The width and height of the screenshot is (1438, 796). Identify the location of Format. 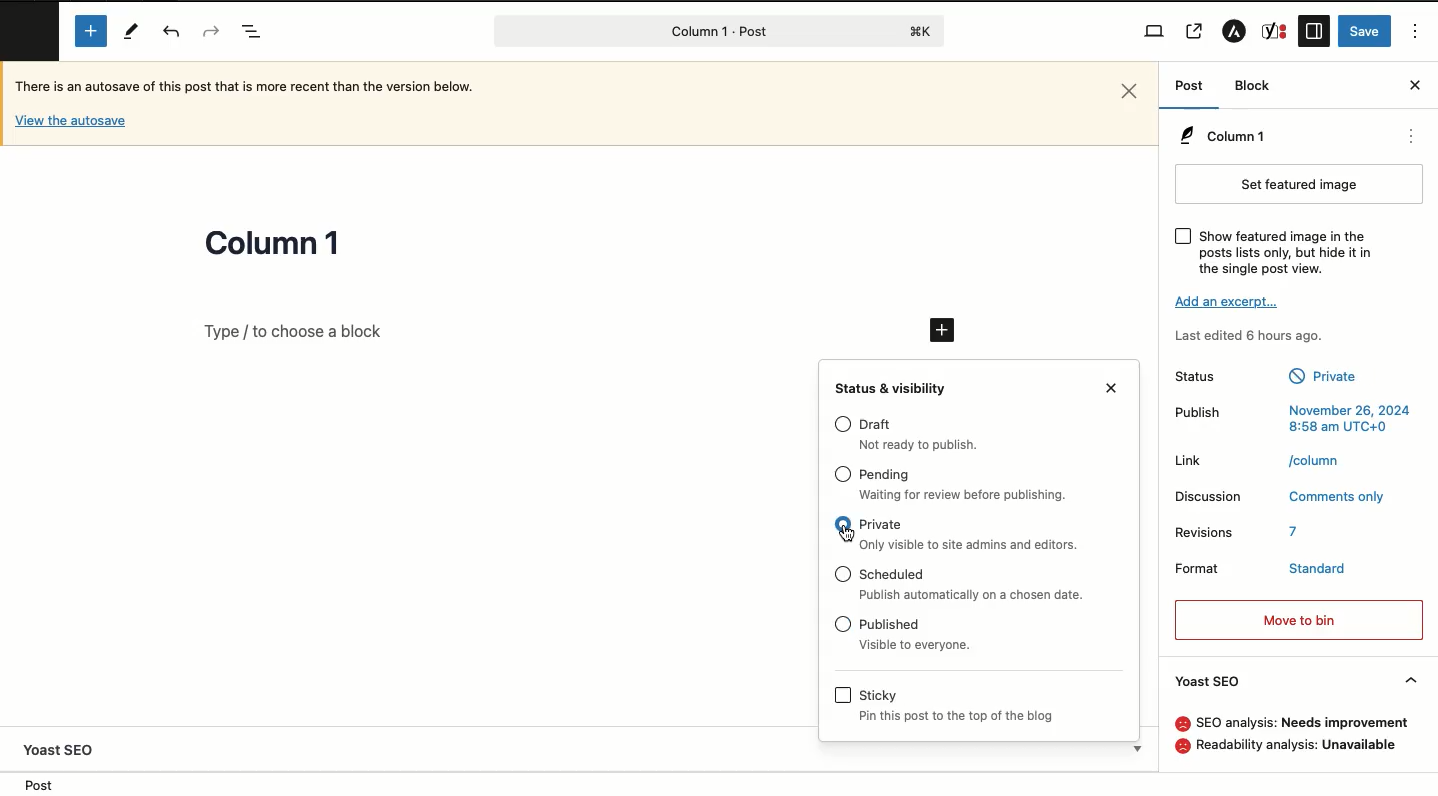
(1198, 567).